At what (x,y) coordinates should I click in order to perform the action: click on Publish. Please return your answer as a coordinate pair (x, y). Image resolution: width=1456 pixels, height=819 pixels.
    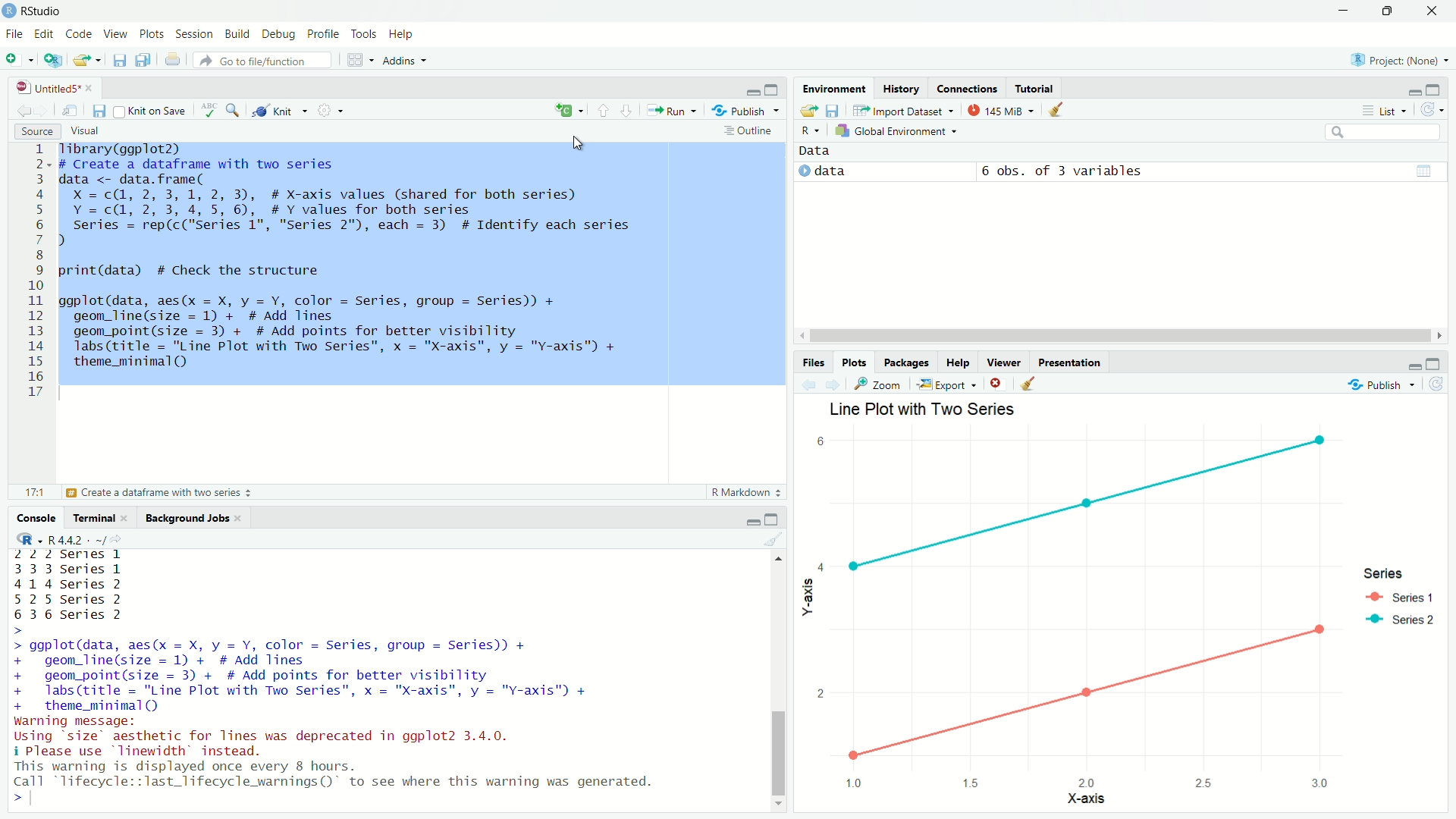
    Looking at the image, I should click on (1380, 386).